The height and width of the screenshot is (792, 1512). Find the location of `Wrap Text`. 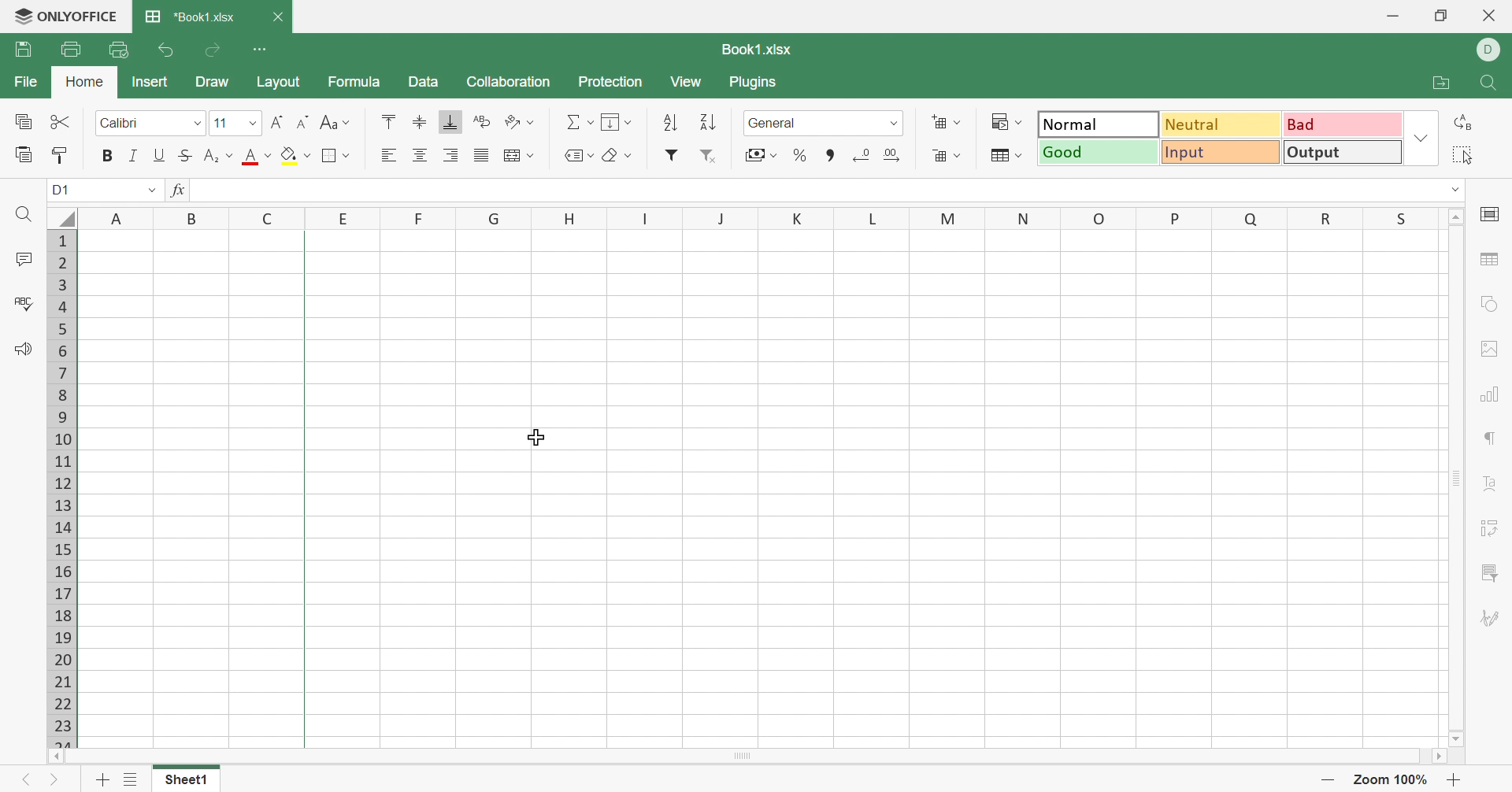

Wrap Text is located at coordinates (481, 121).